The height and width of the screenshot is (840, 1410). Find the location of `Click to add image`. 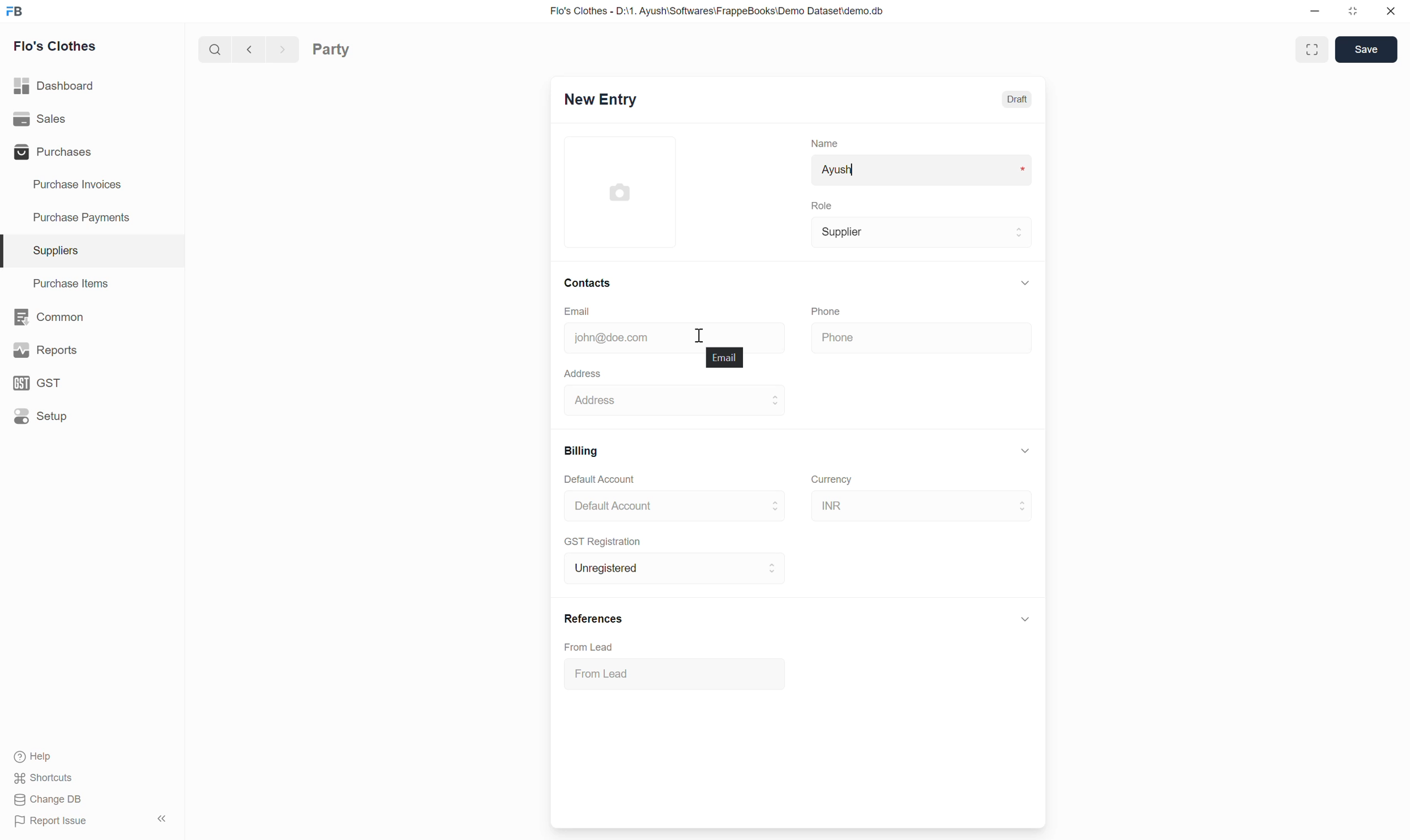

Click to add image is located at coordinates (620, 191).